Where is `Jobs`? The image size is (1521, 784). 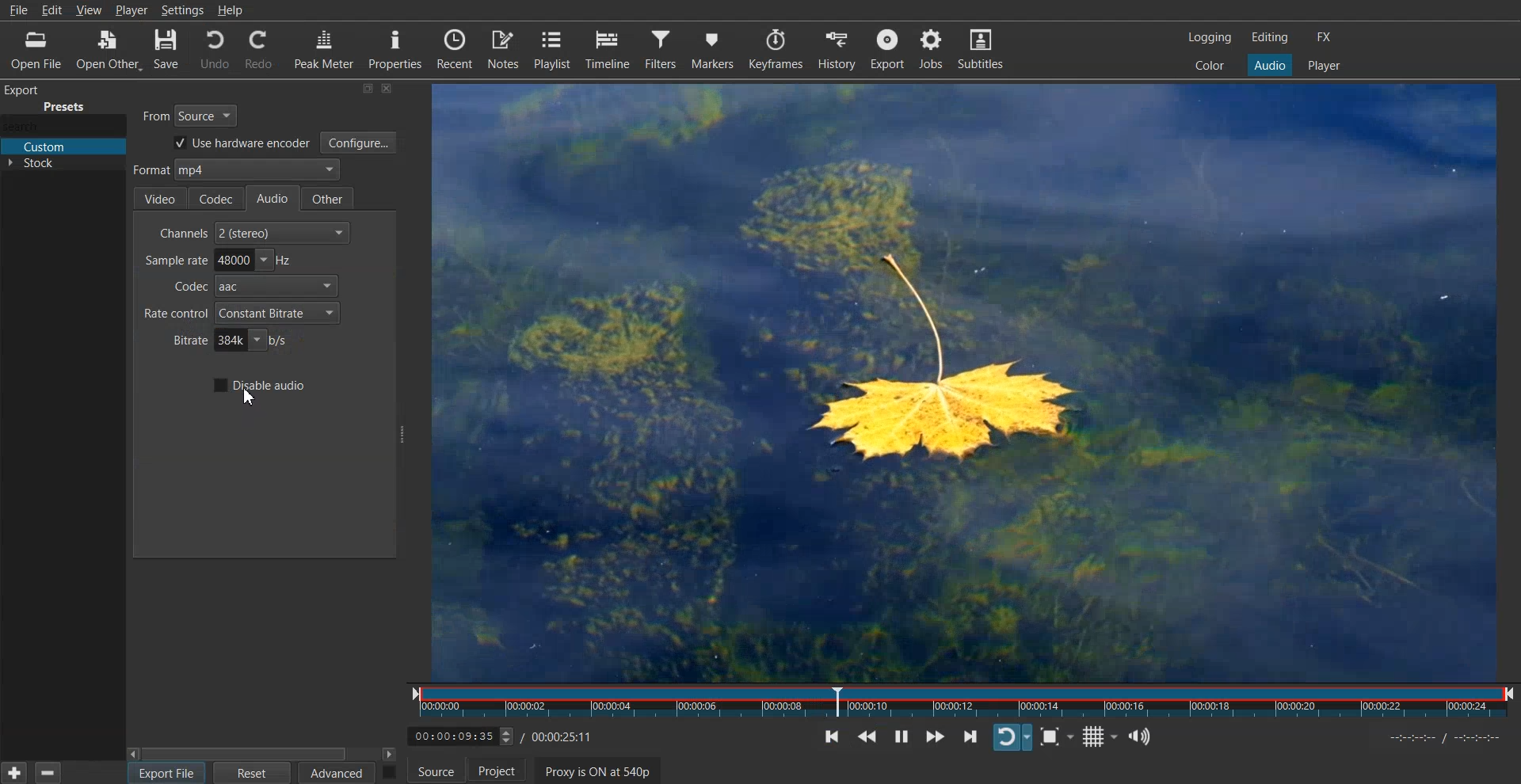 Jobs is located at coordinates (932, 49).